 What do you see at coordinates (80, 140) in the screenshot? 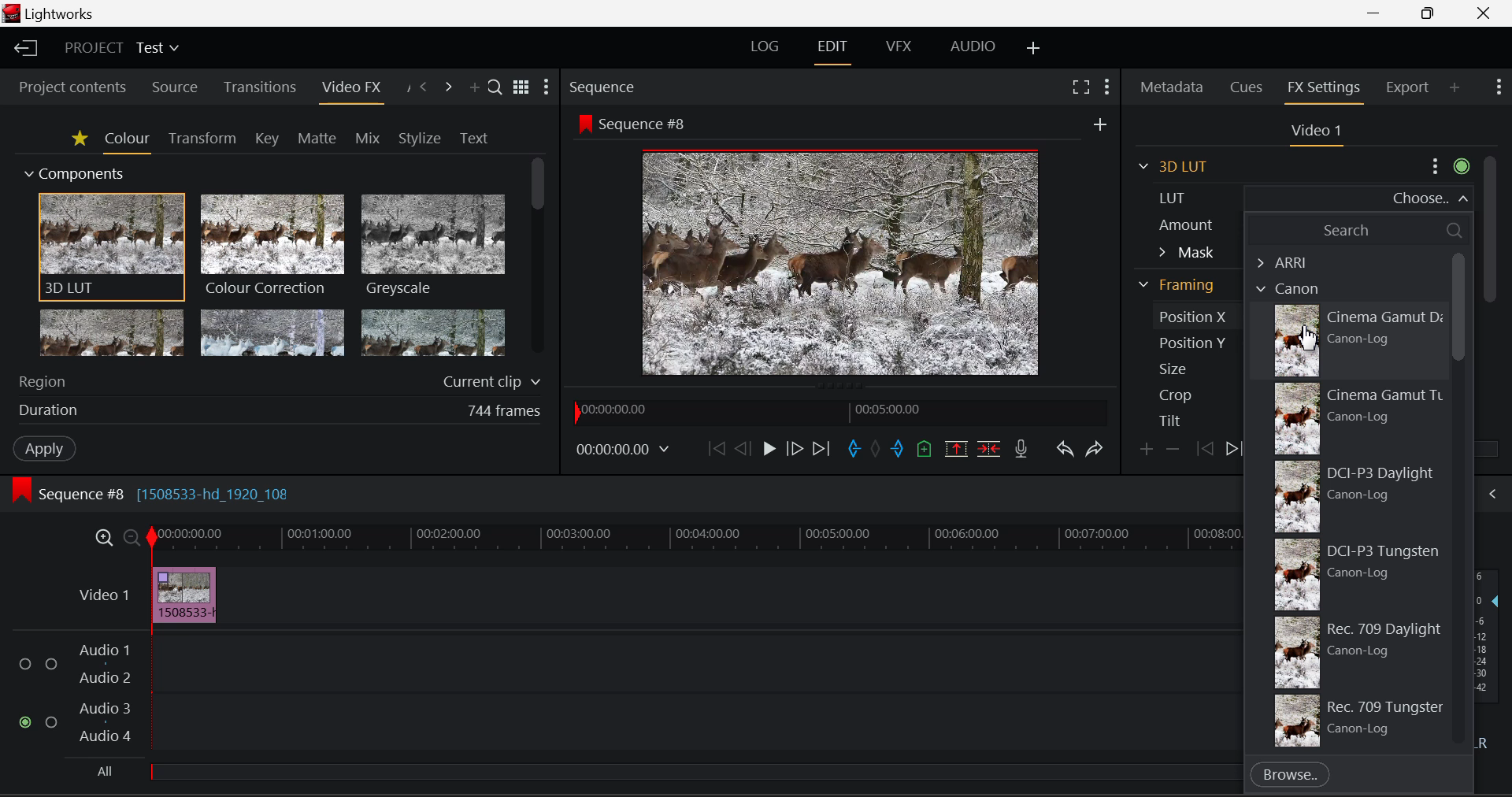
I see `Favorites` at bounding box center [80, 140].